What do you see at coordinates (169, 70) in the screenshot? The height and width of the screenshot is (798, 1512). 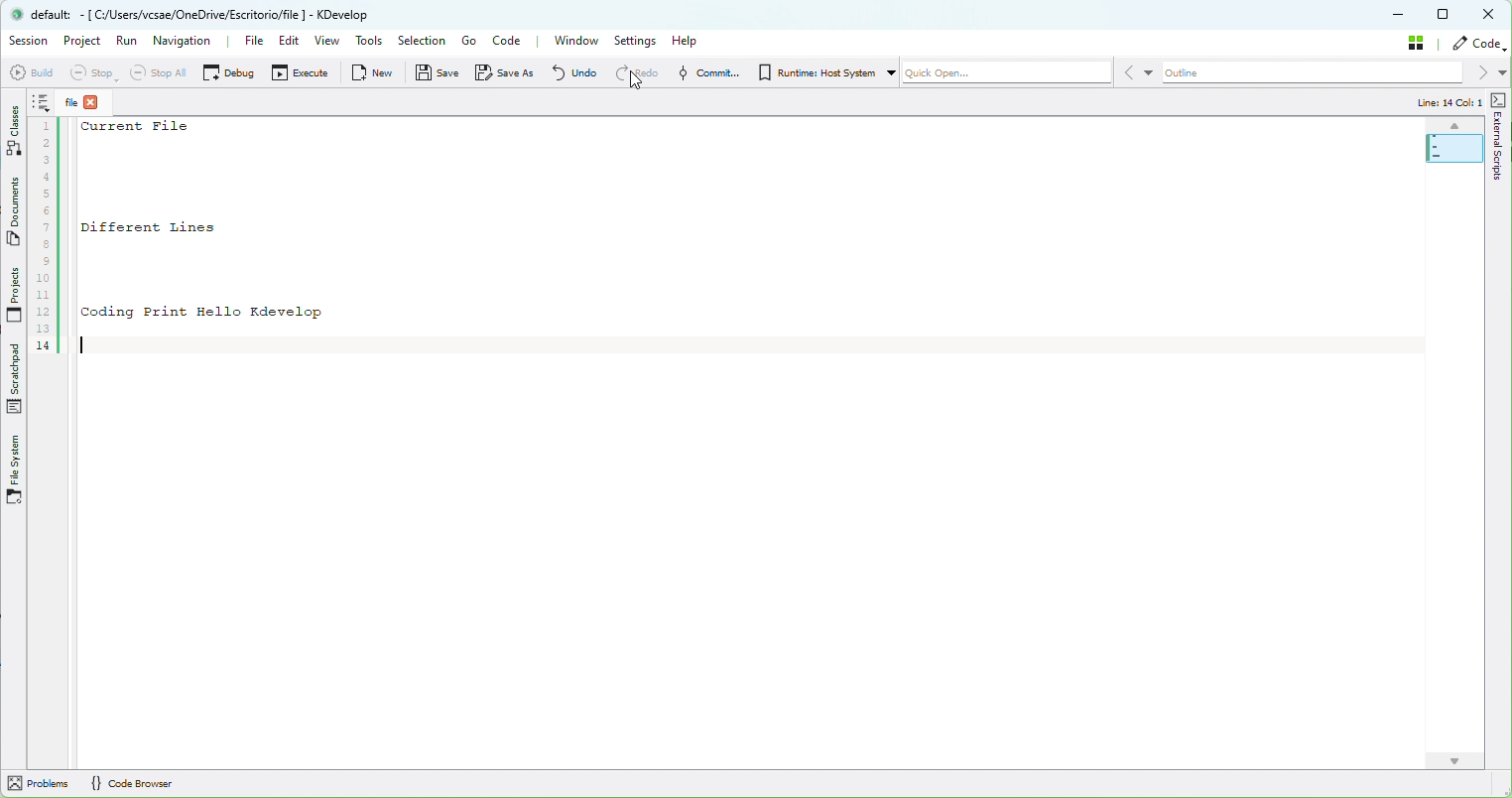 I see `Stop all` at bounding box center [169, 70].